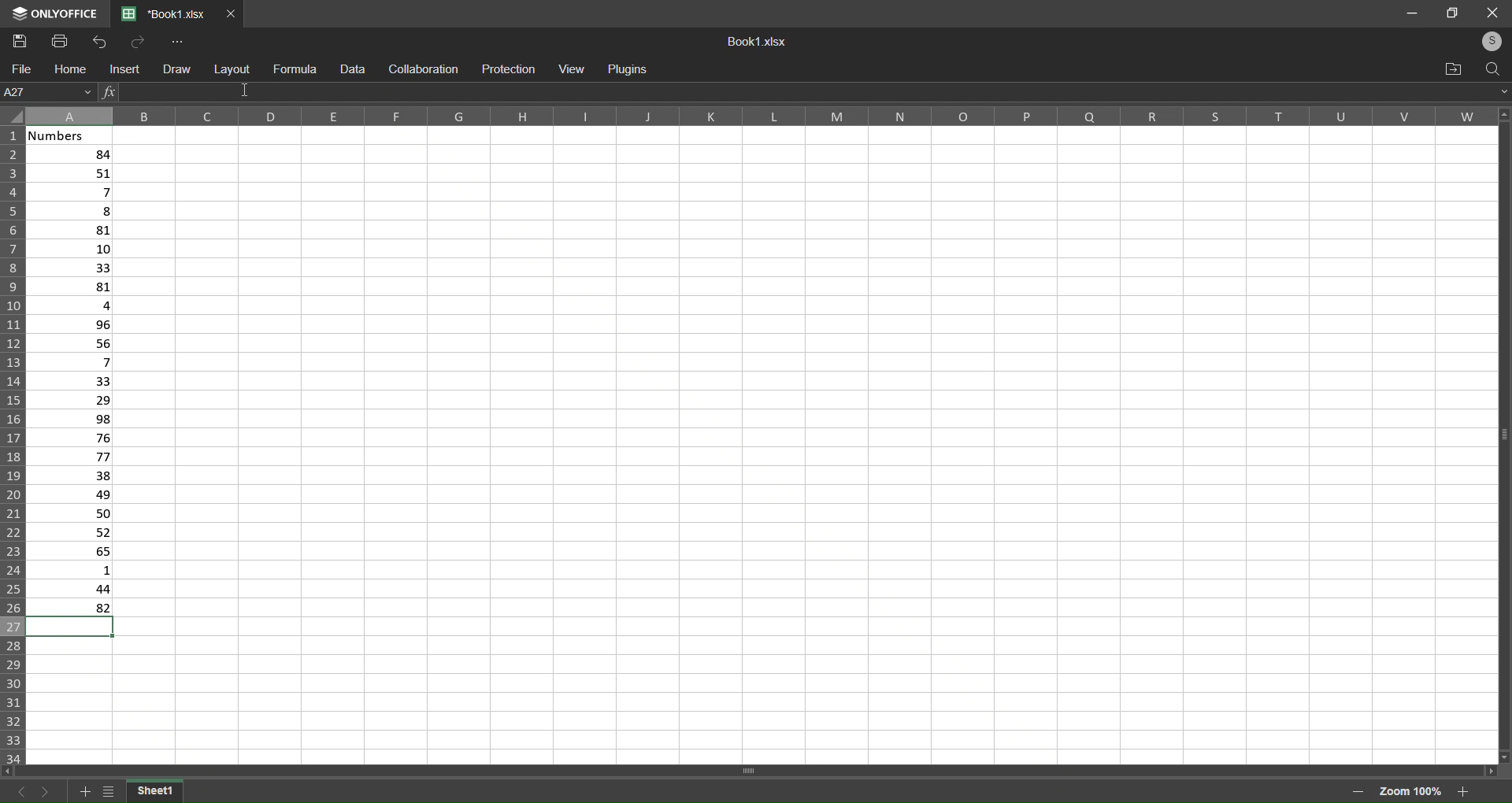  Describe the element at coordinates (71, 627) in the screenshot. I see `selected cell` at that location.